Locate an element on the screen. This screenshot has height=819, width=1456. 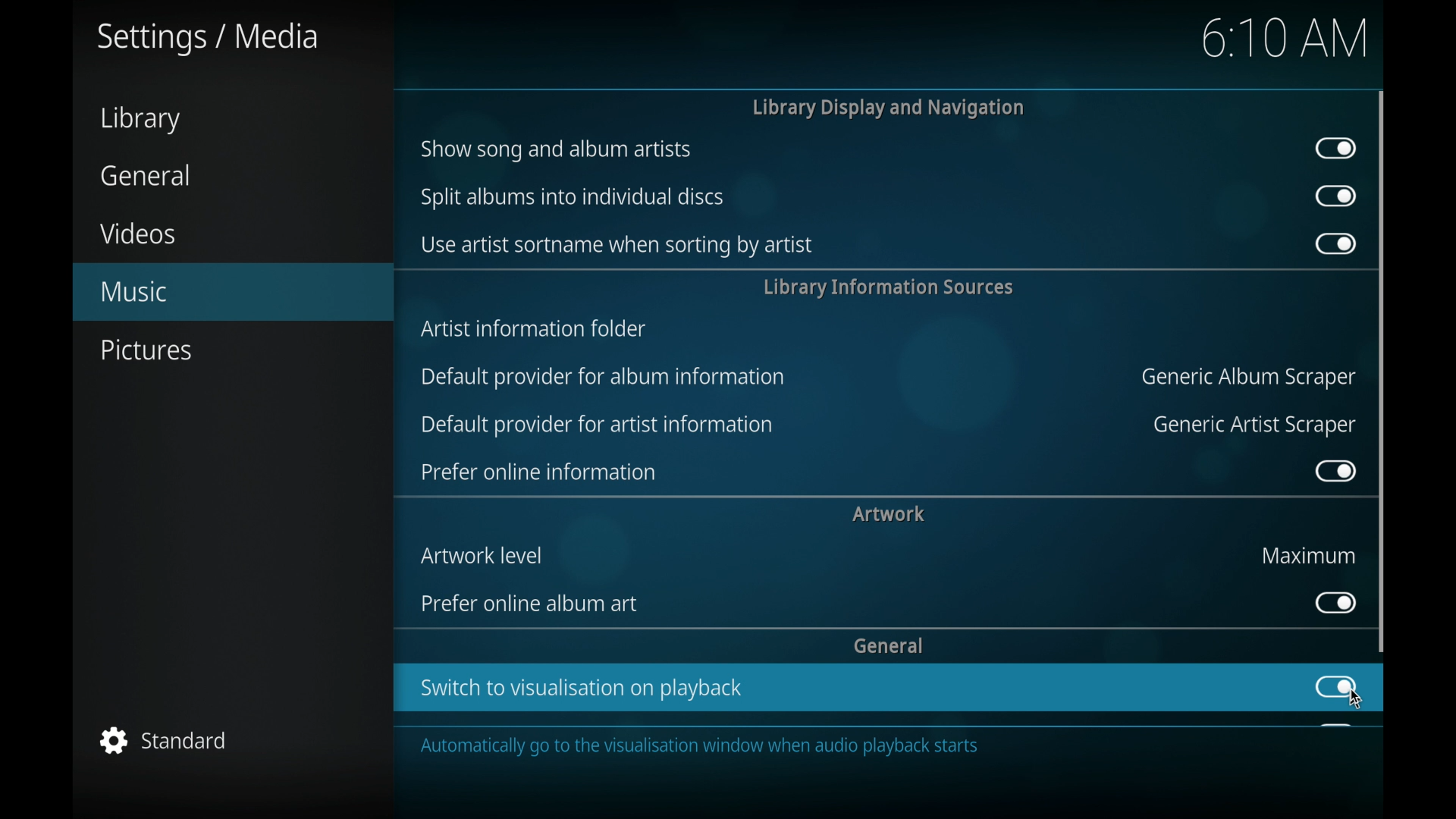
artist information folder is located at coordinates (535, 328).